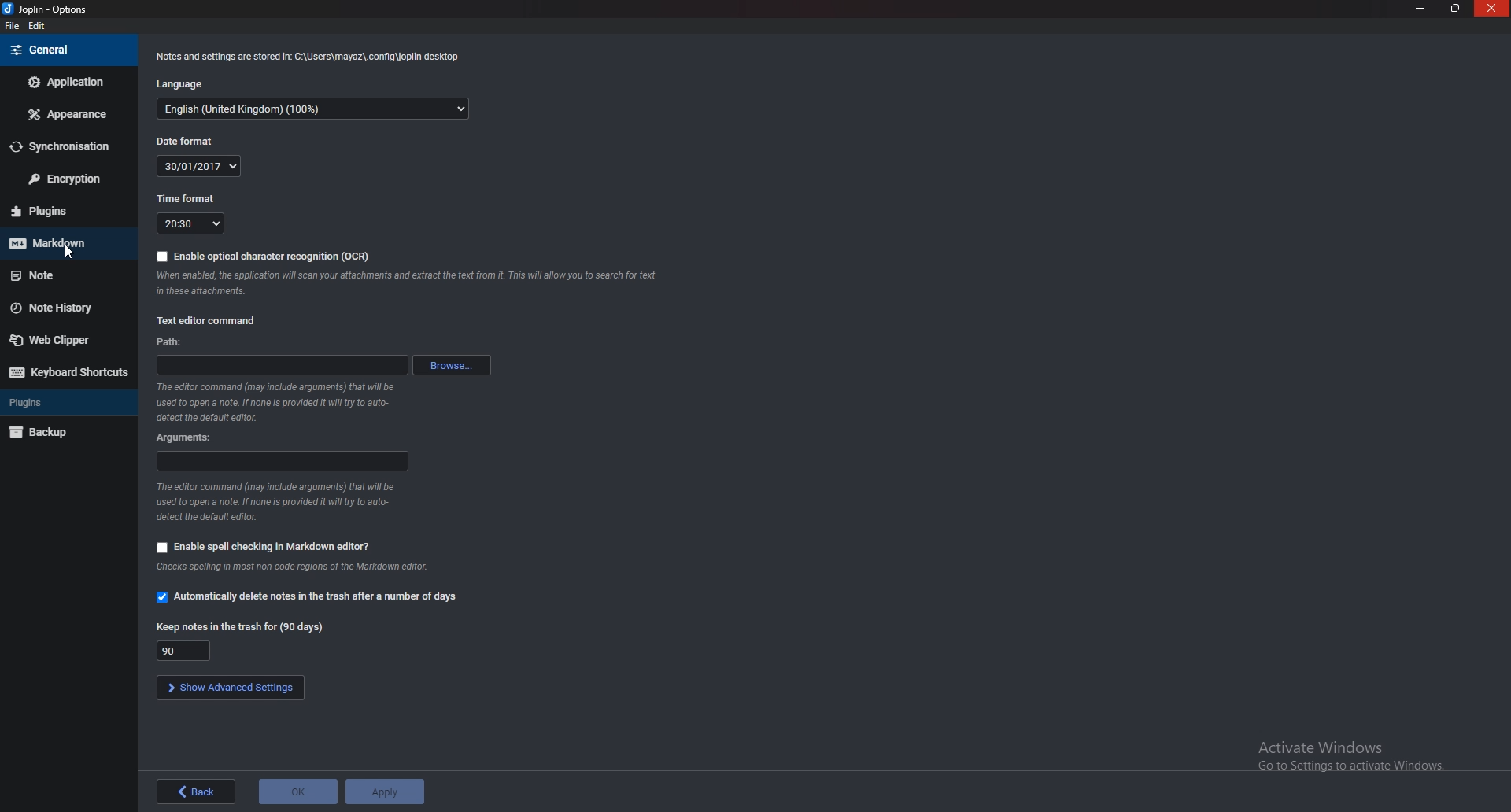 The image size is (1511, 812). What do you see at coordinates (62, 212) in the screenshot?
I see `Plugins` at bounding box center [62, 212].